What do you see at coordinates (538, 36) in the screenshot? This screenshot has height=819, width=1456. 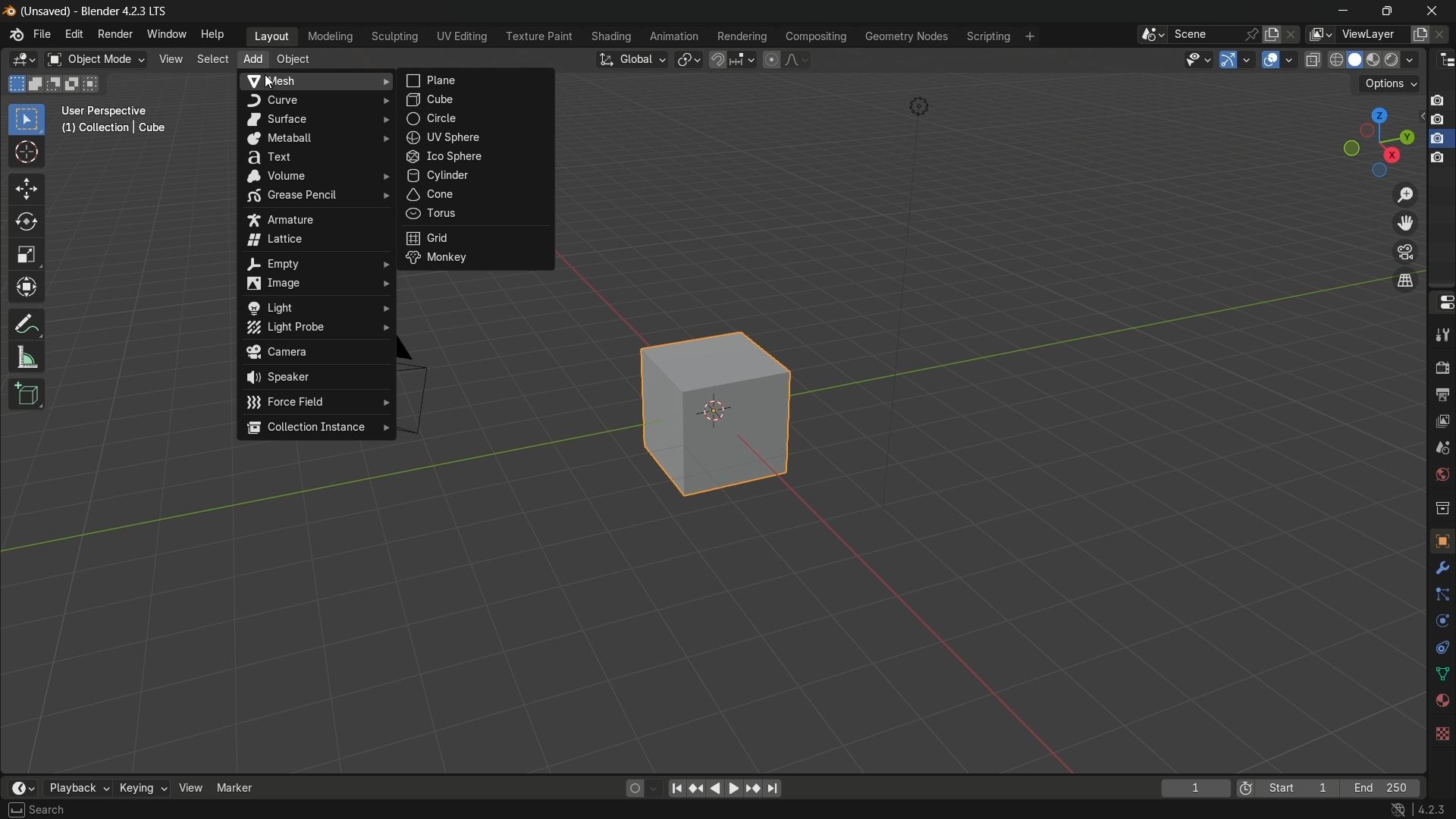 I see `texture paint` at bounding box center [538, 36].